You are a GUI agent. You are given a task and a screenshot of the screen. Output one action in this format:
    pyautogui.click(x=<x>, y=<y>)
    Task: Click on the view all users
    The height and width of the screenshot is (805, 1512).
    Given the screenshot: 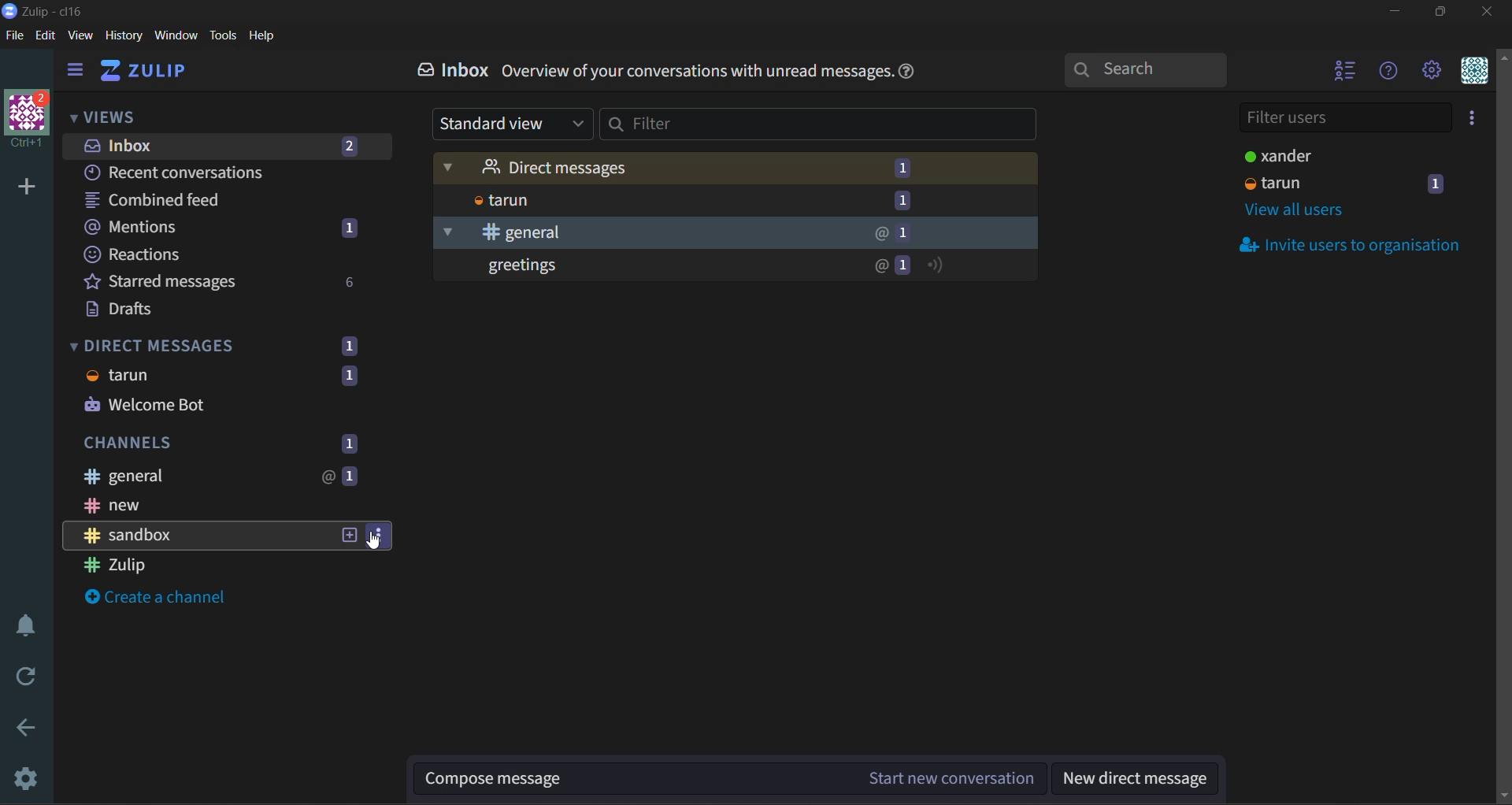 What is the action you would take?
    pyautogui.click(x=1295, y=213)
    